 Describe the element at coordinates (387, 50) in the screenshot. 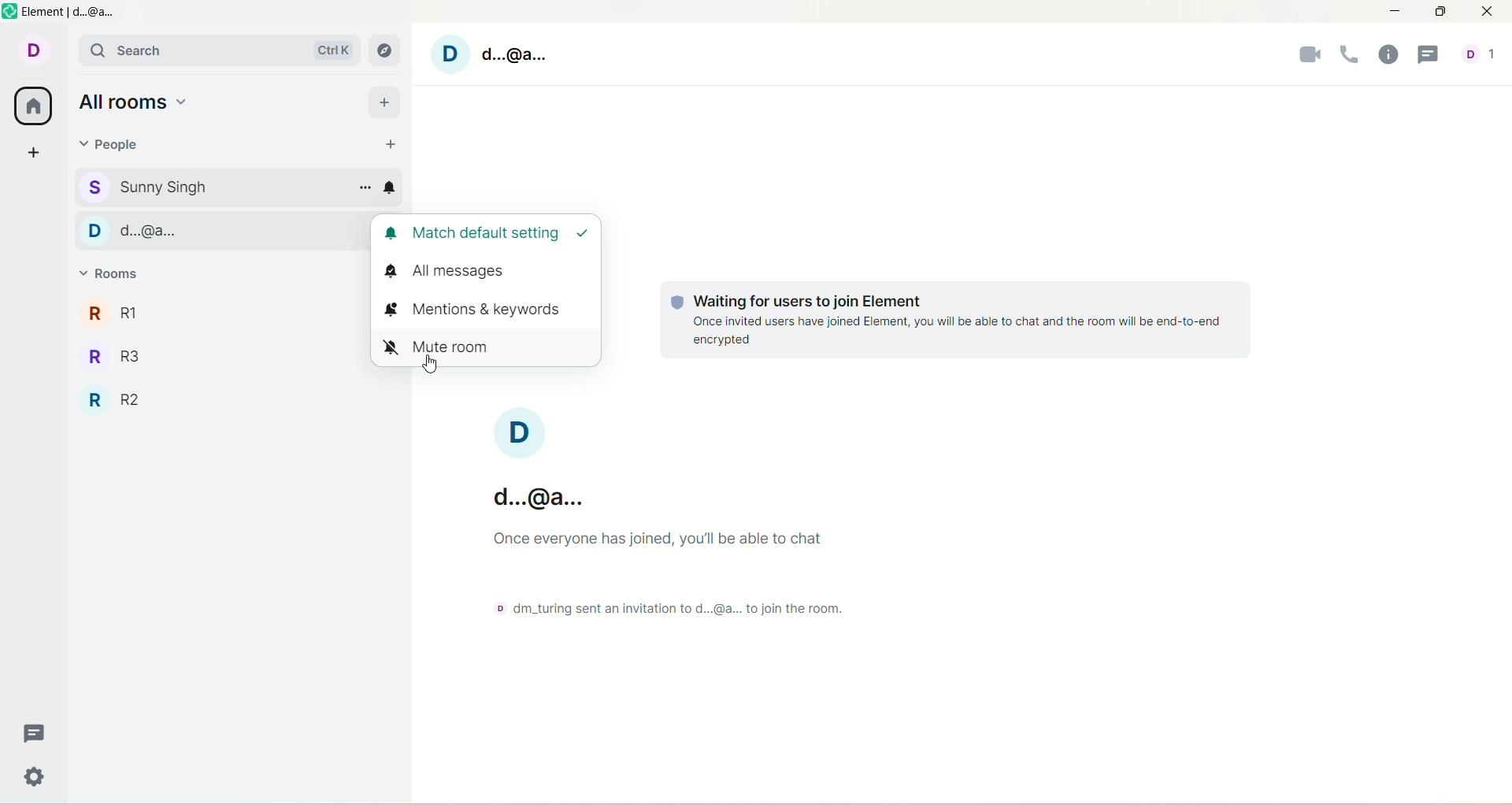

I see `explore rooms` at that location.